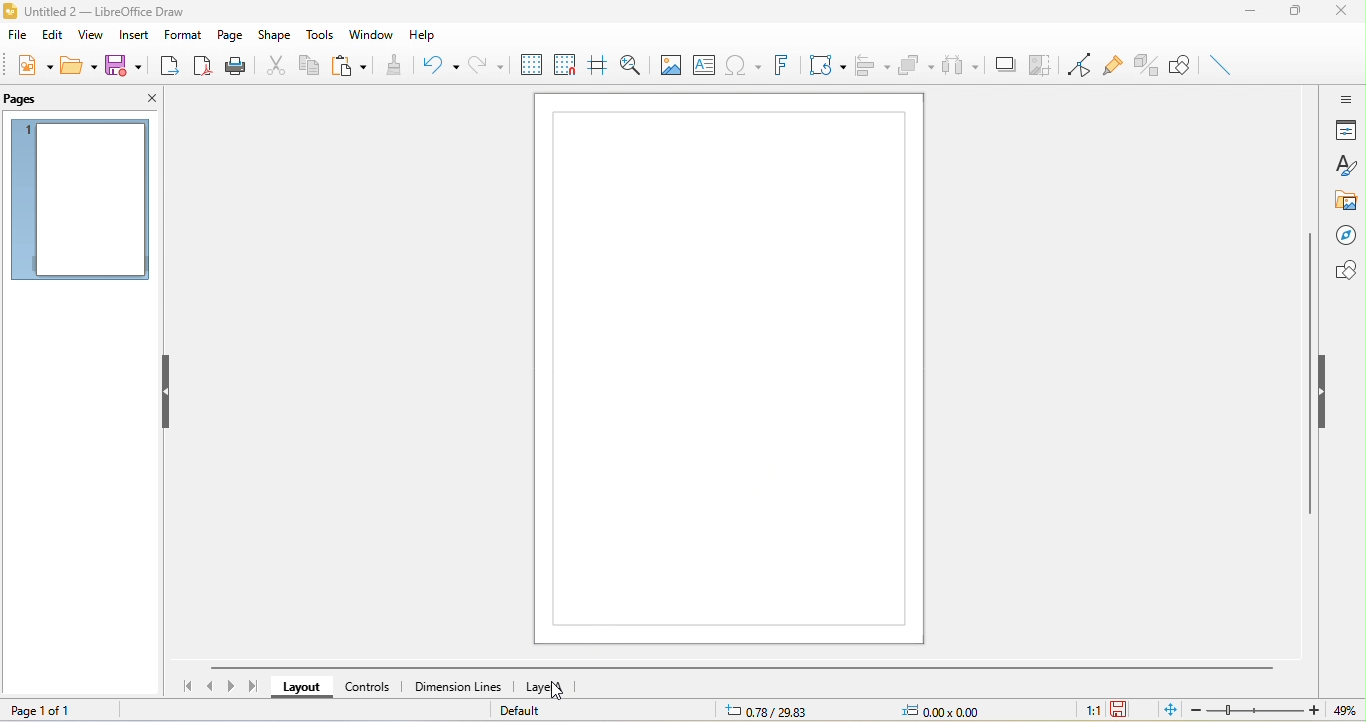 This screenshot has width=1366, height=722. What do you see at coordinates (77, 64) in the screenshot?
I see `open` at bounding box center [77, 64].